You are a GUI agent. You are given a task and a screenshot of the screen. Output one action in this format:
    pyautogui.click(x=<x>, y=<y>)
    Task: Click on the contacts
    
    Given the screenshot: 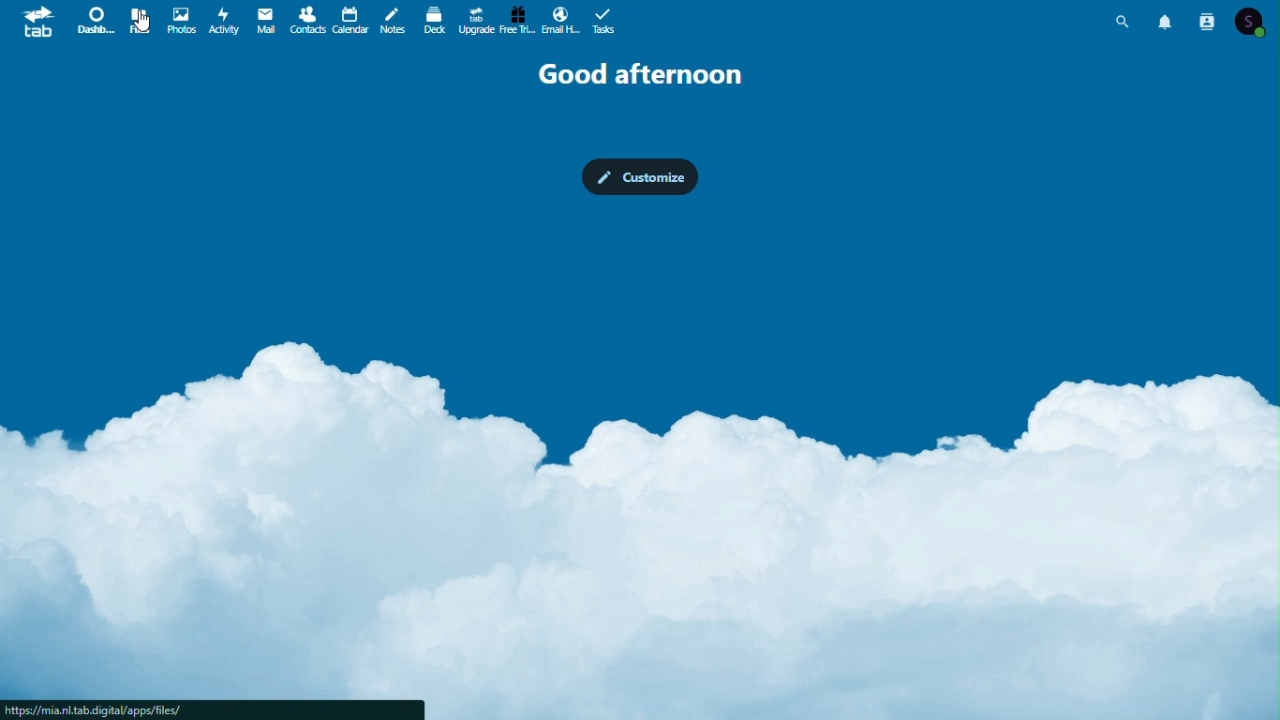 What is the action you would take?
    pyautogui.click(x=1205, y=20)
    